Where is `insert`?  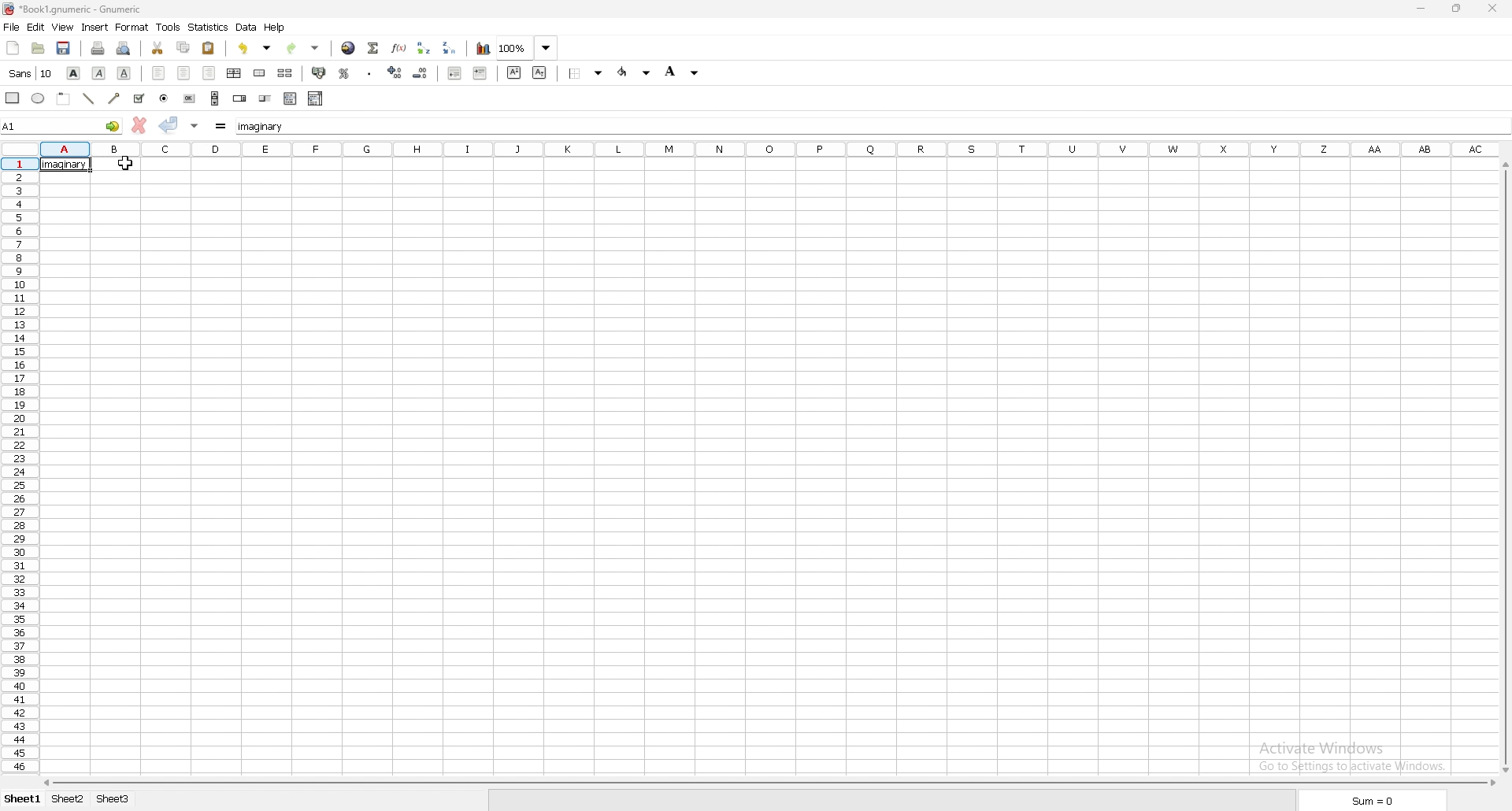 insert is located at coordinates (95, 28).